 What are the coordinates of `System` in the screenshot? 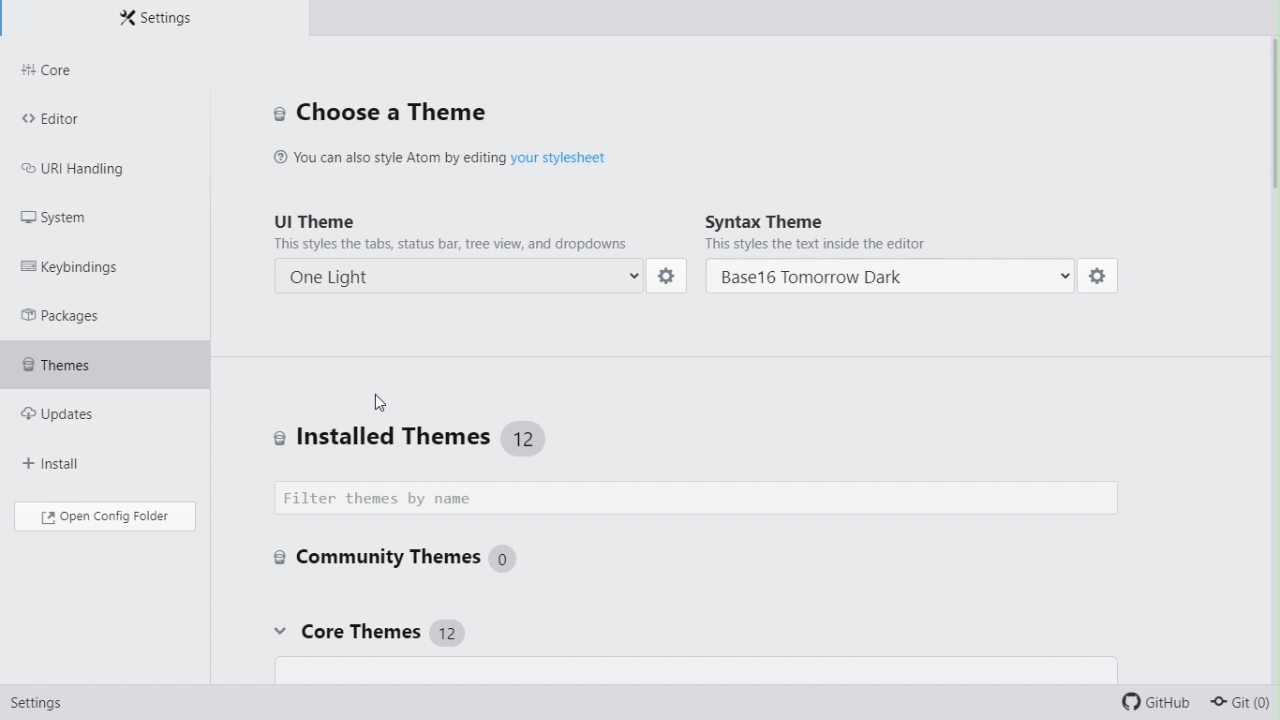 It's located at (79, 219).